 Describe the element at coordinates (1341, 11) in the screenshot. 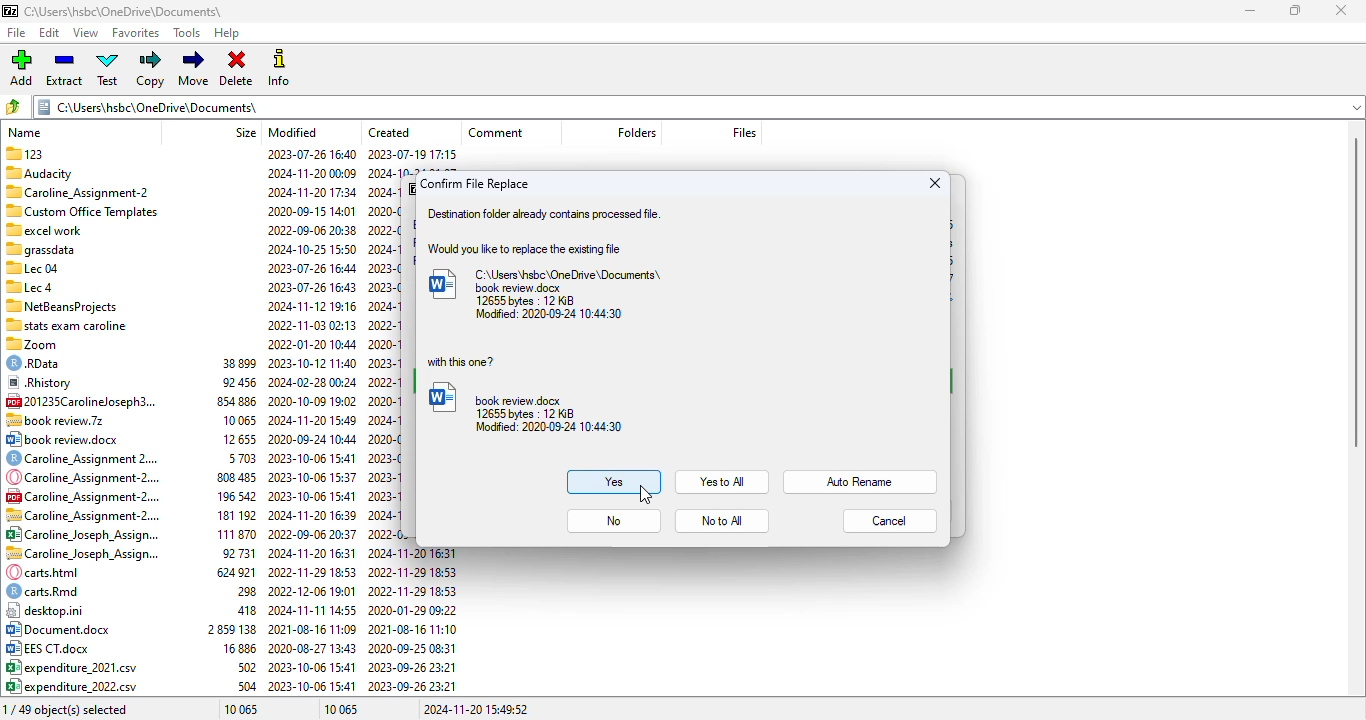

I see `` at that location.